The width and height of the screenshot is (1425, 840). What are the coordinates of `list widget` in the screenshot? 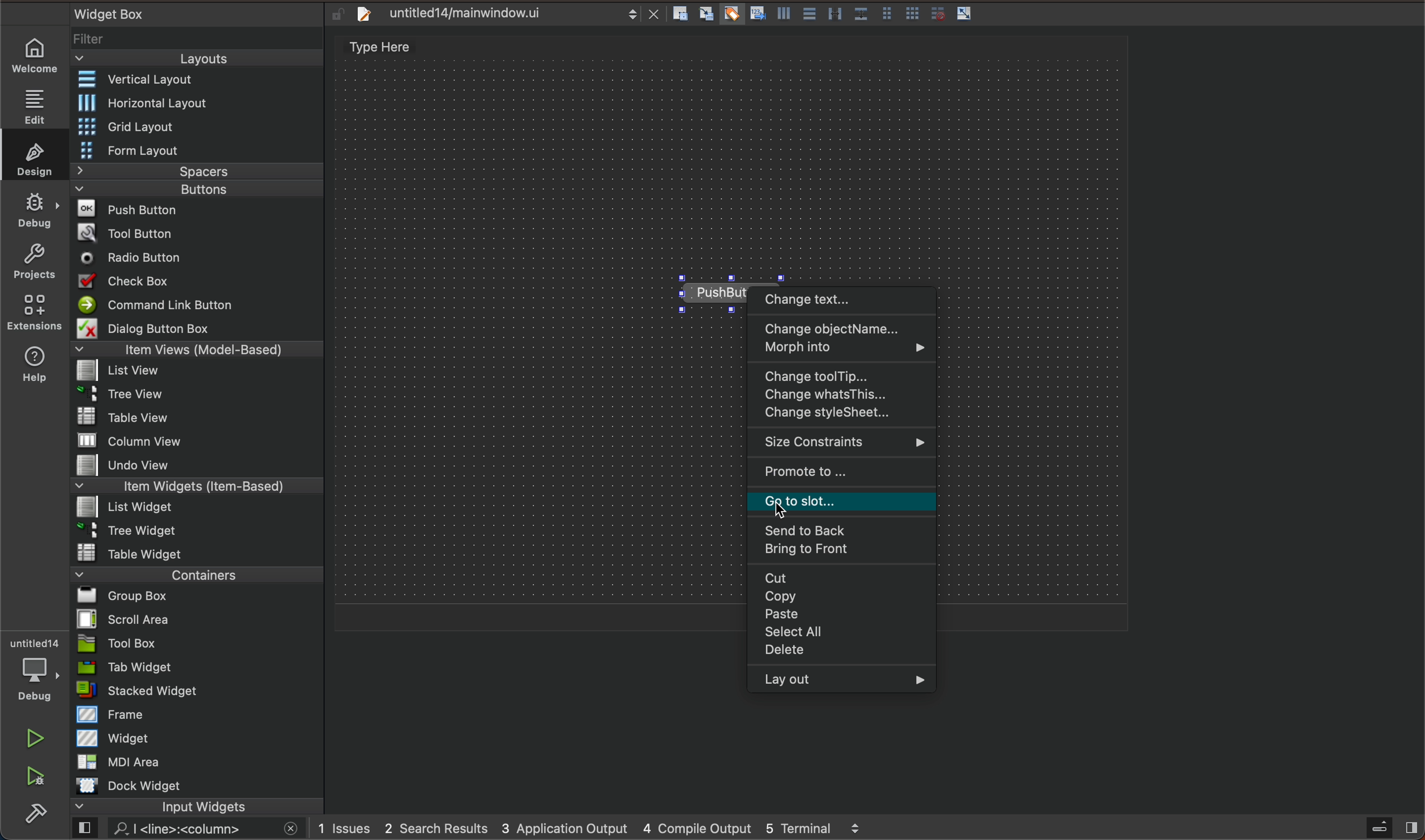 It's located at (200, 509).